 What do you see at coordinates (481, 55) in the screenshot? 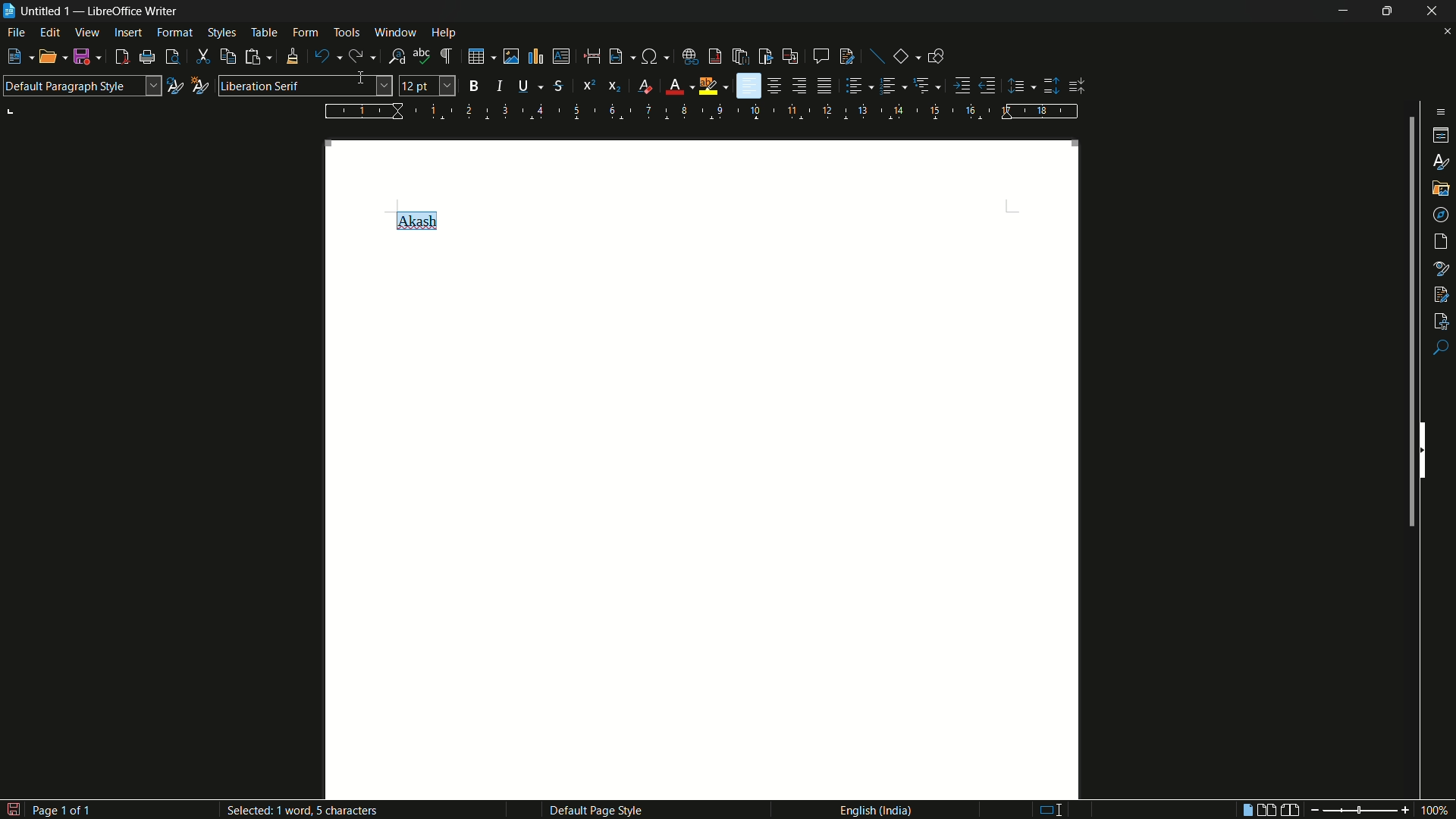
I see `insert table` at bounding box center [481, 55].